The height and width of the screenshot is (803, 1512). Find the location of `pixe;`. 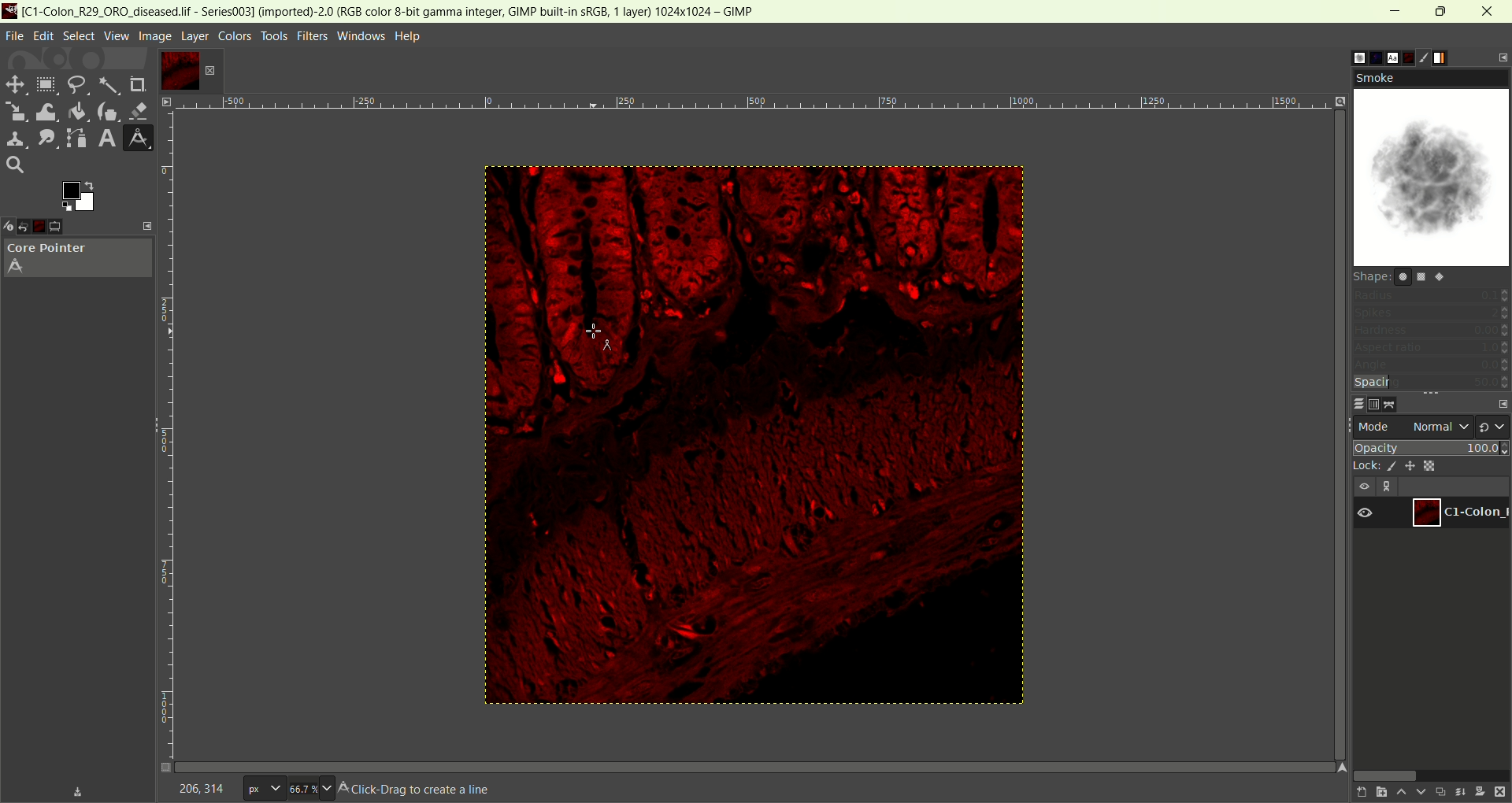

pixe; is located at coordinates (261, 790).